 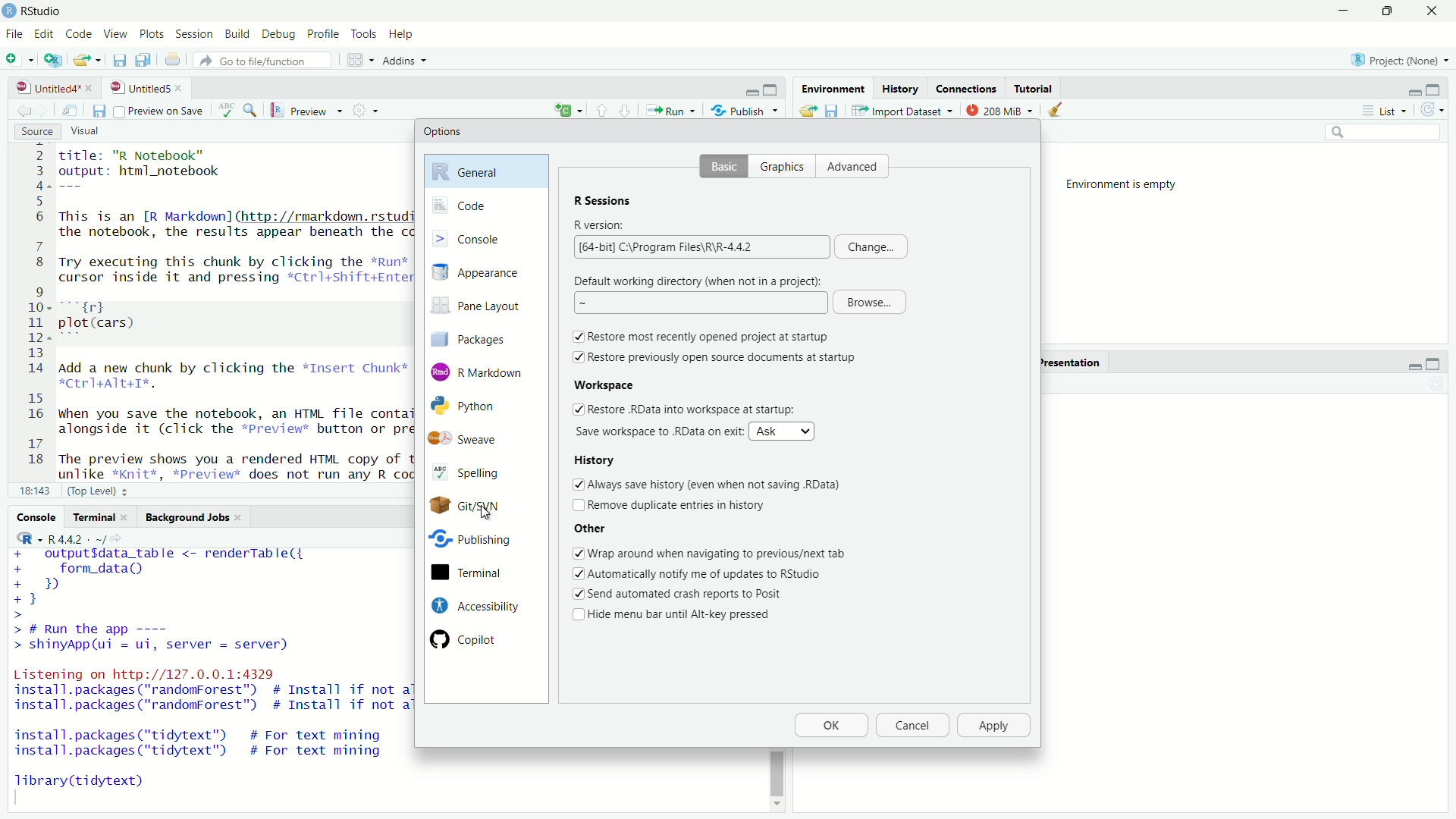 What do you see at coordinates (475, 474) in the screenshot?
I see `Spelling` at bounding box center [475, 474].